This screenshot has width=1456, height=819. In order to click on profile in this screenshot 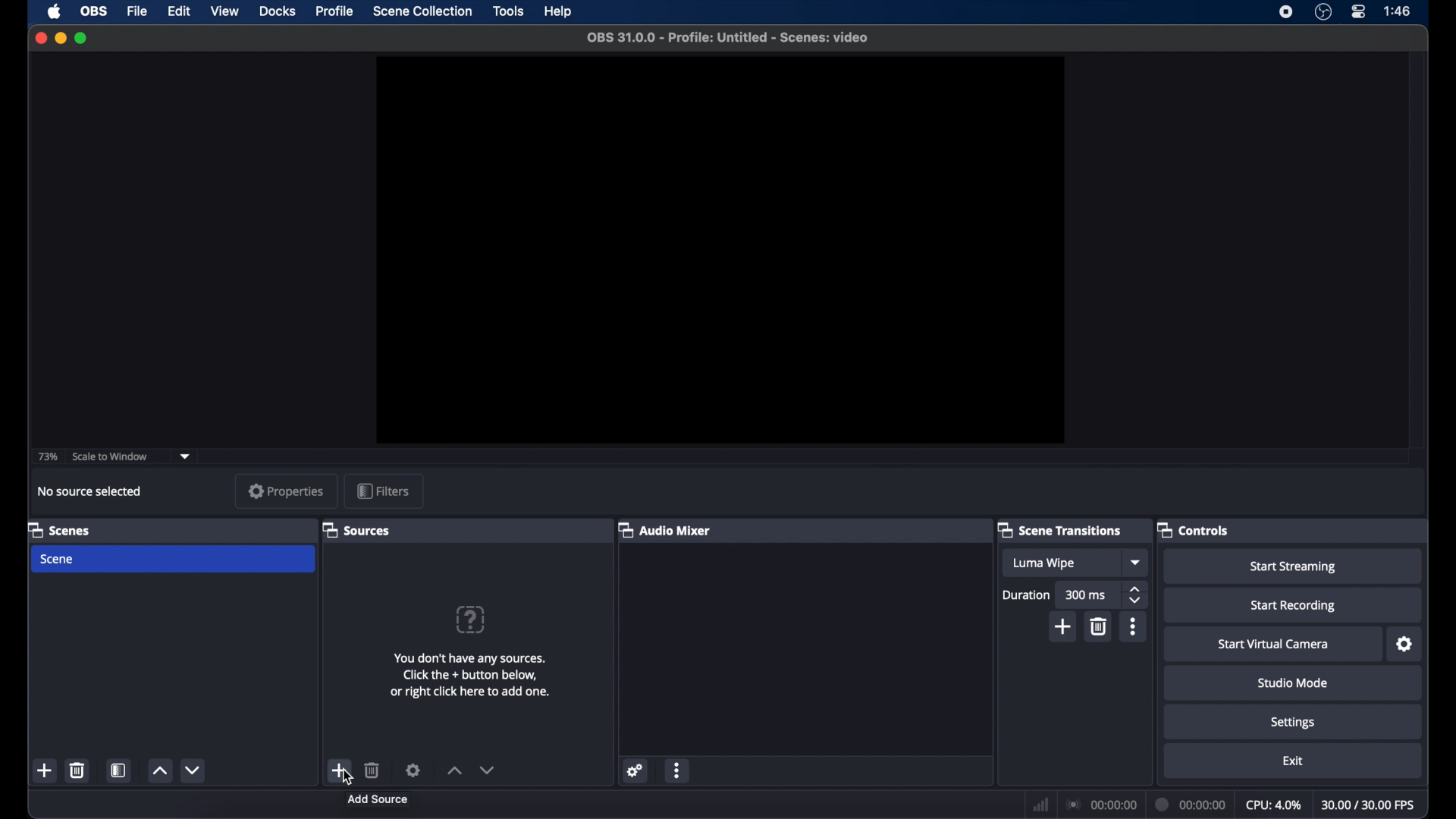, I will do `click(335, 11)`.